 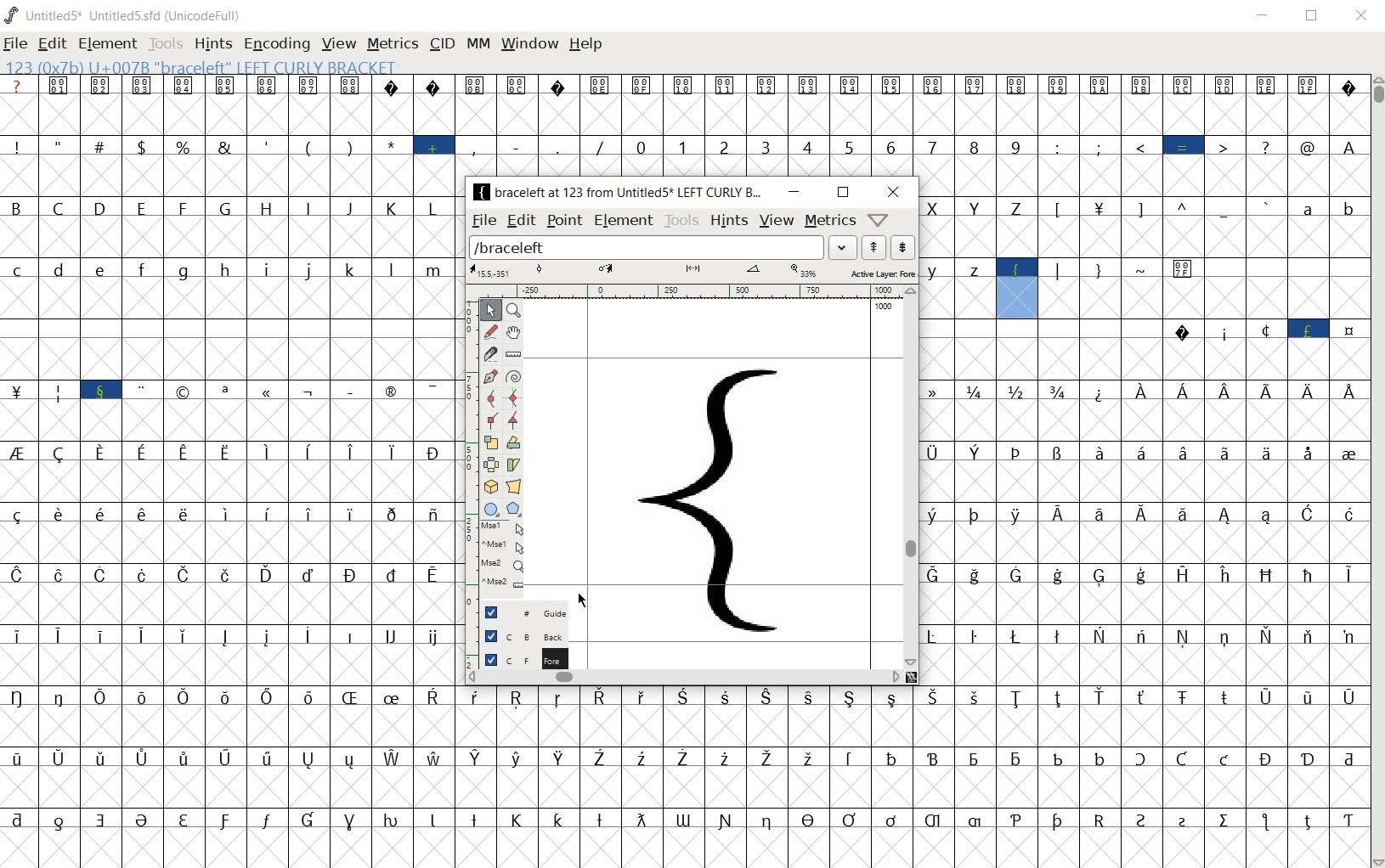 I want to click on rectangle or ellipse, so click(x=489, y=510).